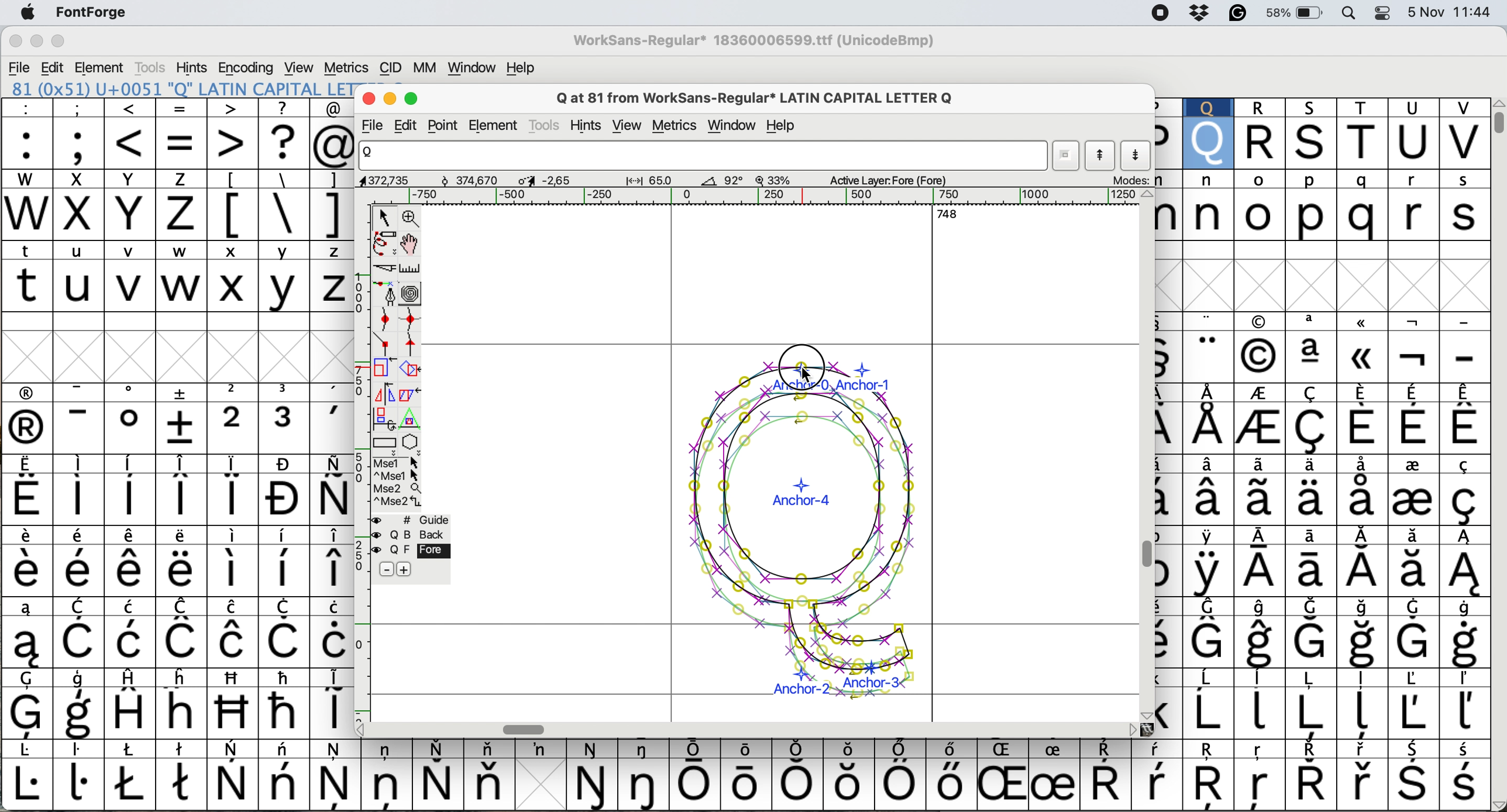  What do you see at coordinates (112, 180) in the screenshot?
I see `uppercase letters` at bounding box center [112, 180].